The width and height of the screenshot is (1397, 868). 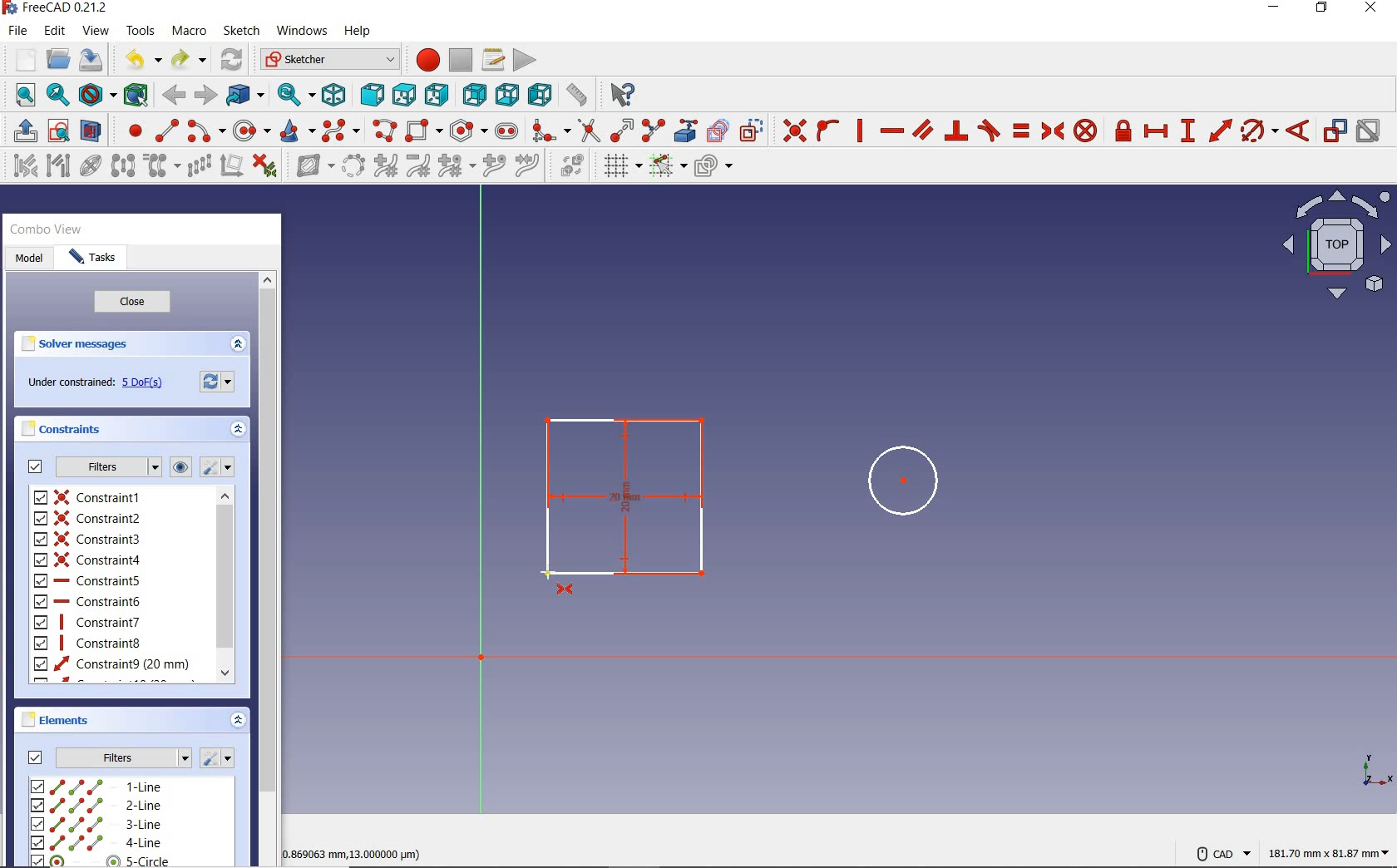 I want to click on constrain lock, so click(x=1123, y=131).